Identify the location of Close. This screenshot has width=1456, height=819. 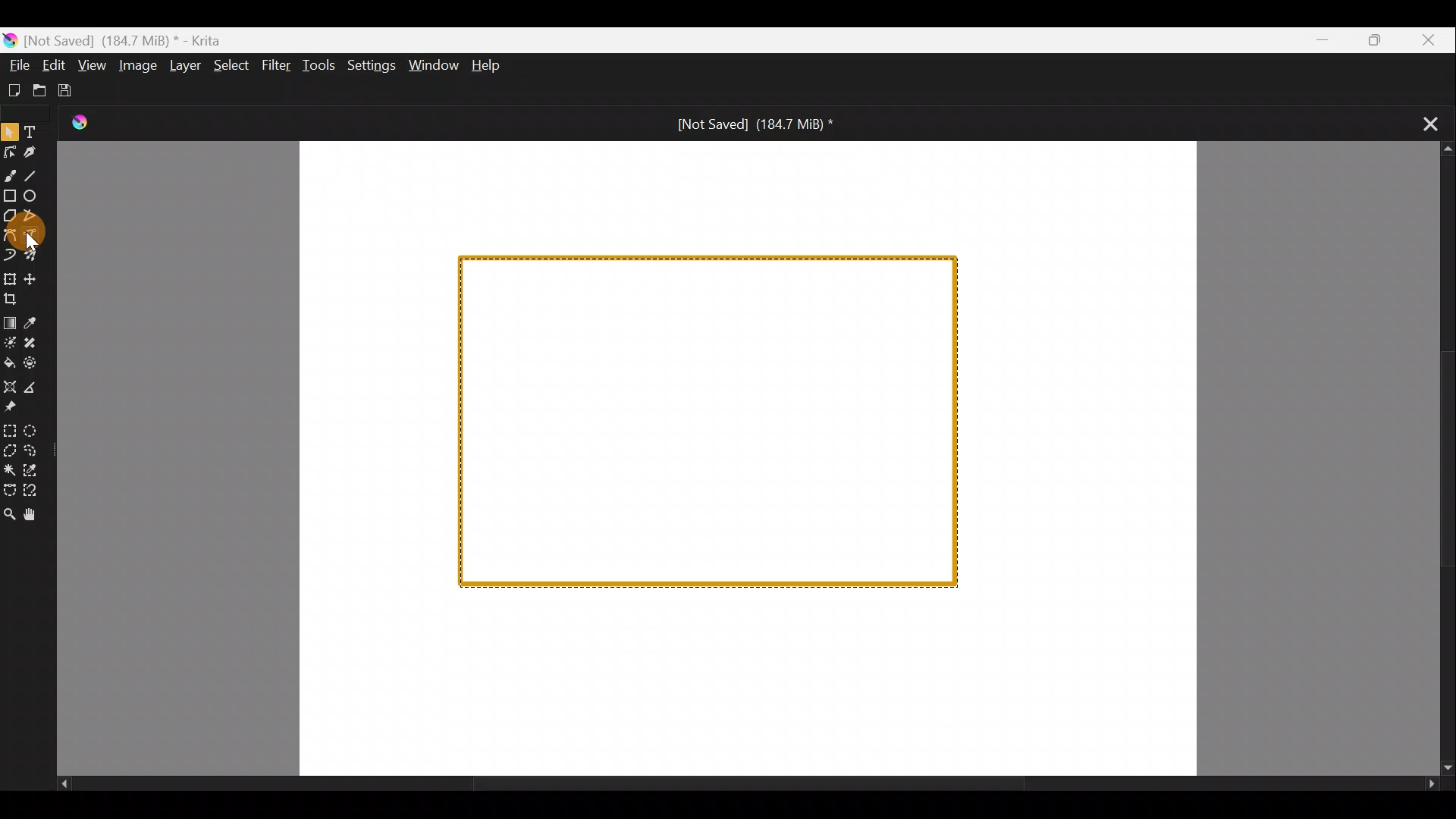
(1429, 39).